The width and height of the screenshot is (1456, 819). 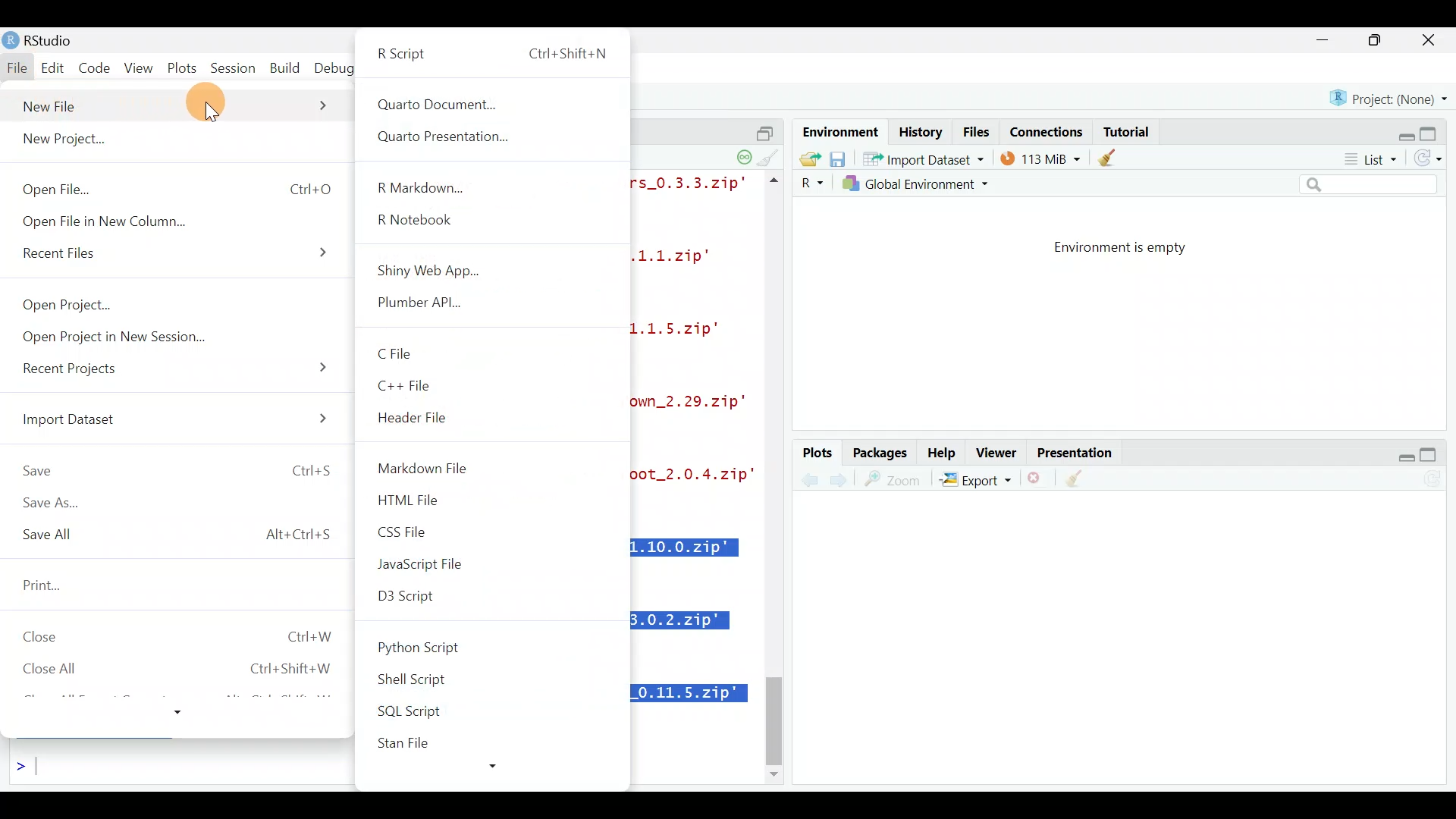 What do you see at coordinates (1429, 42) in the screenshot?
I see `close` at bounding box center [1429, 42].